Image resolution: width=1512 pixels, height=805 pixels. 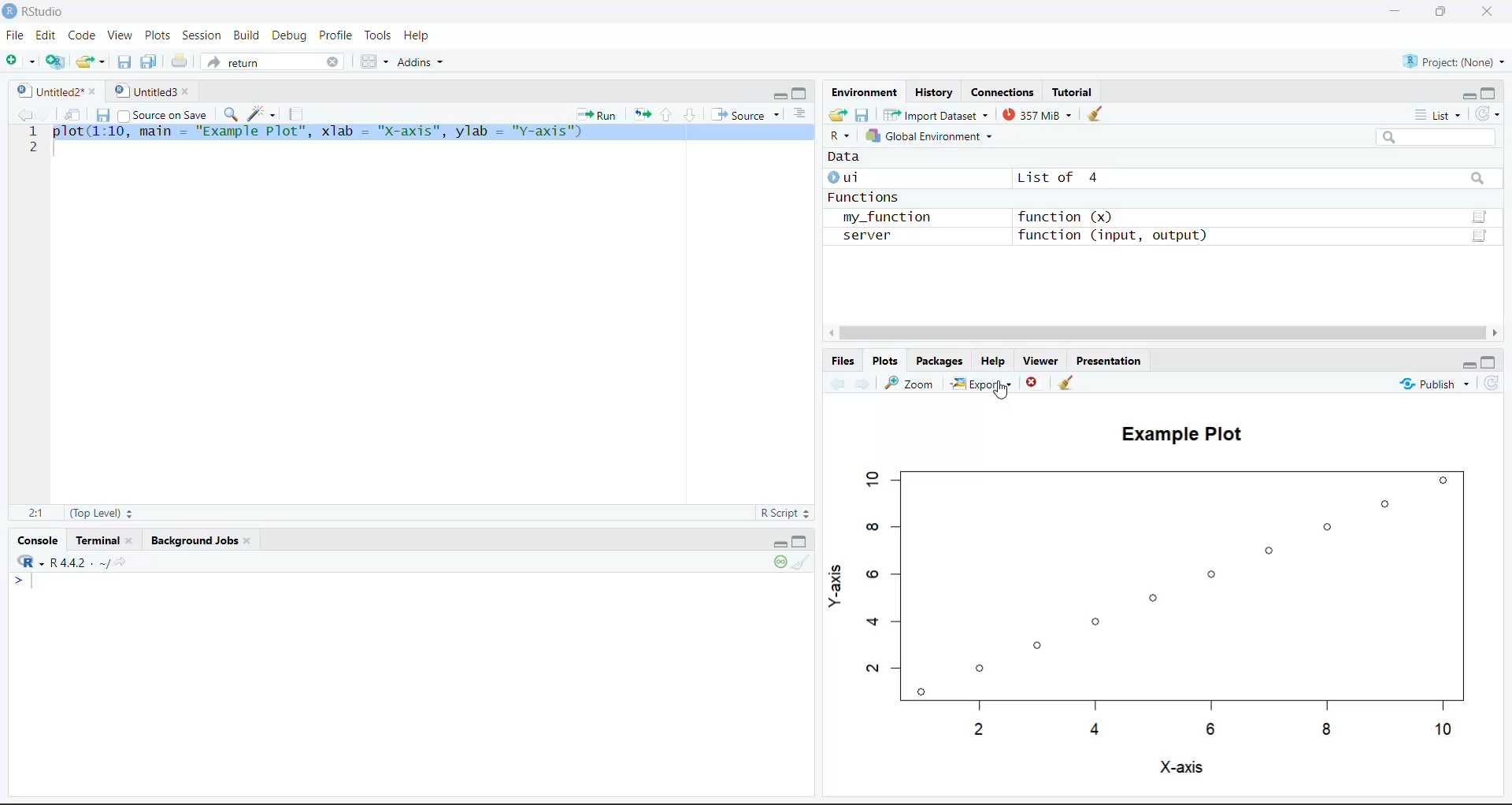 What do you see at coordinates (418, 35) in the screenshot?
I see `Help` at bounding box center [418, 35].